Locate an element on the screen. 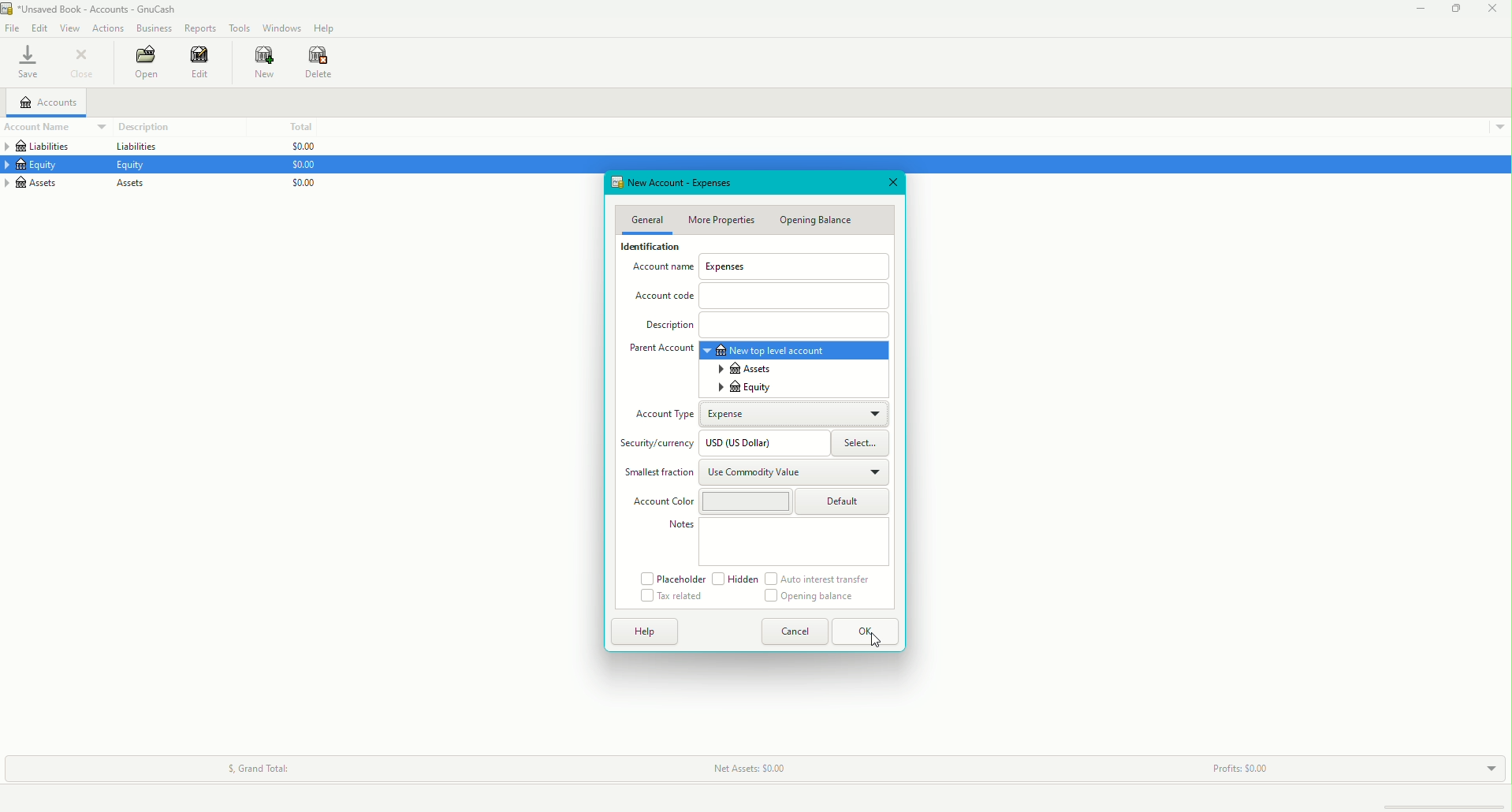 Image resolution: width=1512 pixels, height=812 pixels. Accounts is located at coordinates (48, 102).